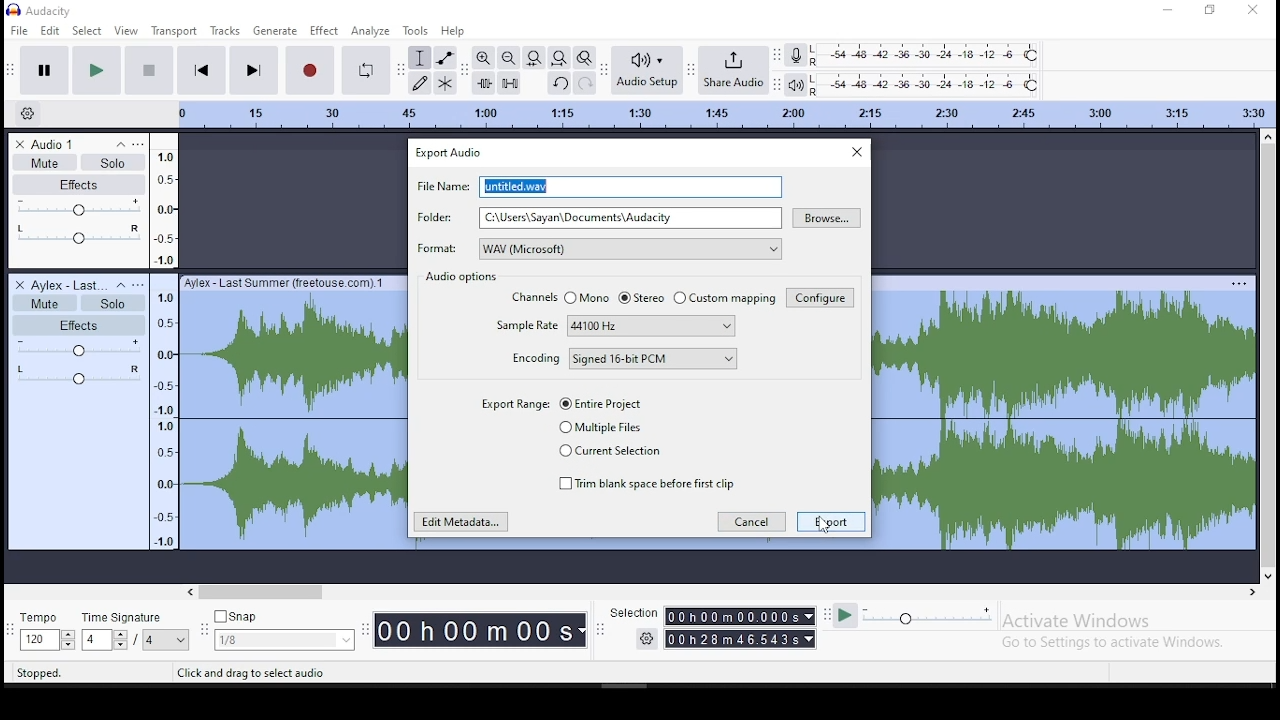 This screenshot has height=720, width=1280. What do you see at coordinates (614, 325) in the screenshot?
I see `sample rate` at bounding box center [614, 325].